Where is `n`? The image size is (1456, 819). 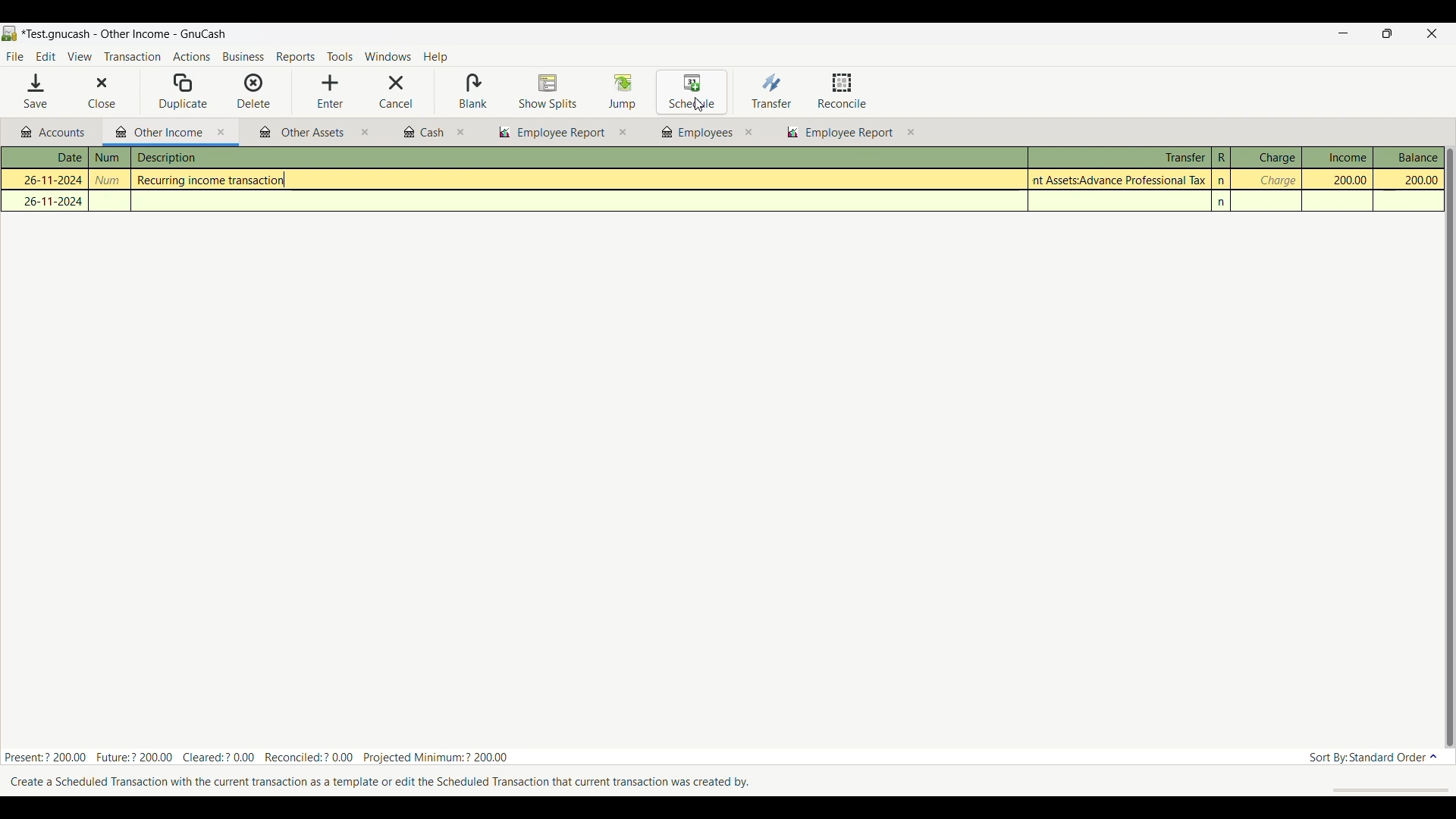
n is located at coordinates (1222, 180).